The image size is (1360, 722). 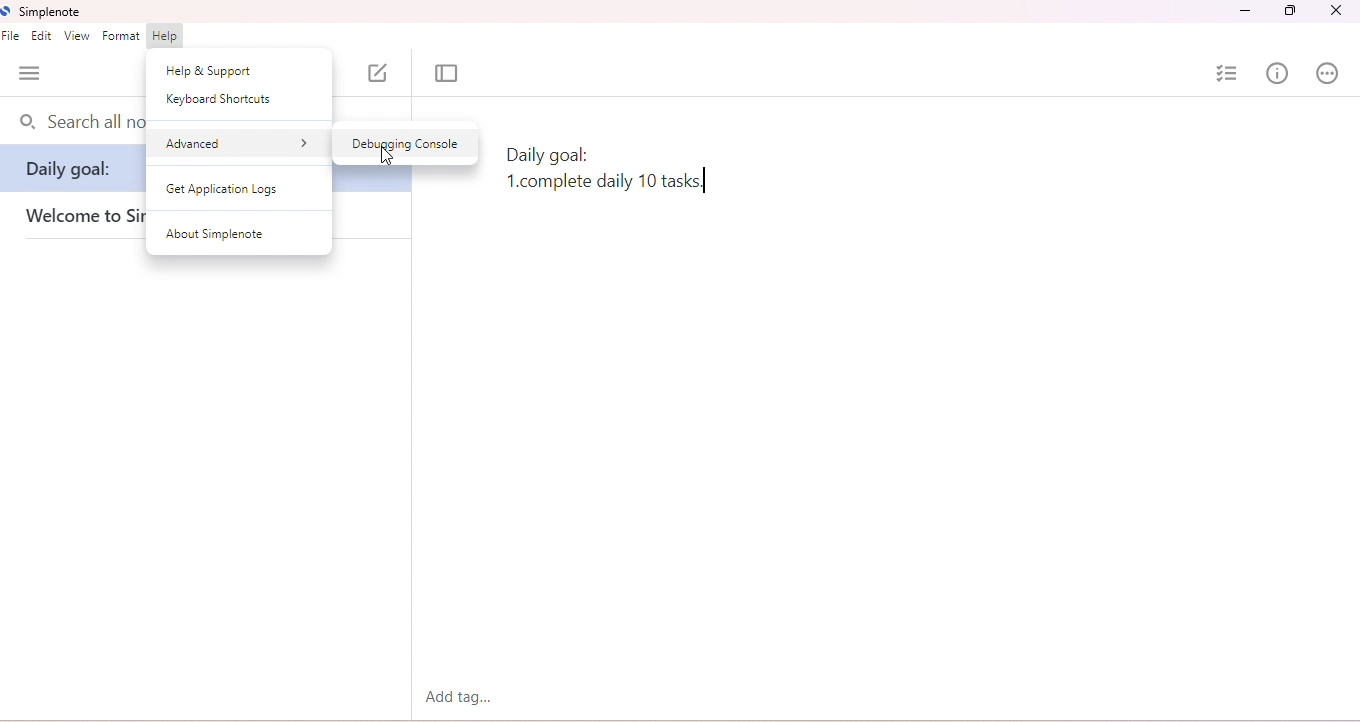 I want to click on insert checklist, so click(x=1227, y=73).